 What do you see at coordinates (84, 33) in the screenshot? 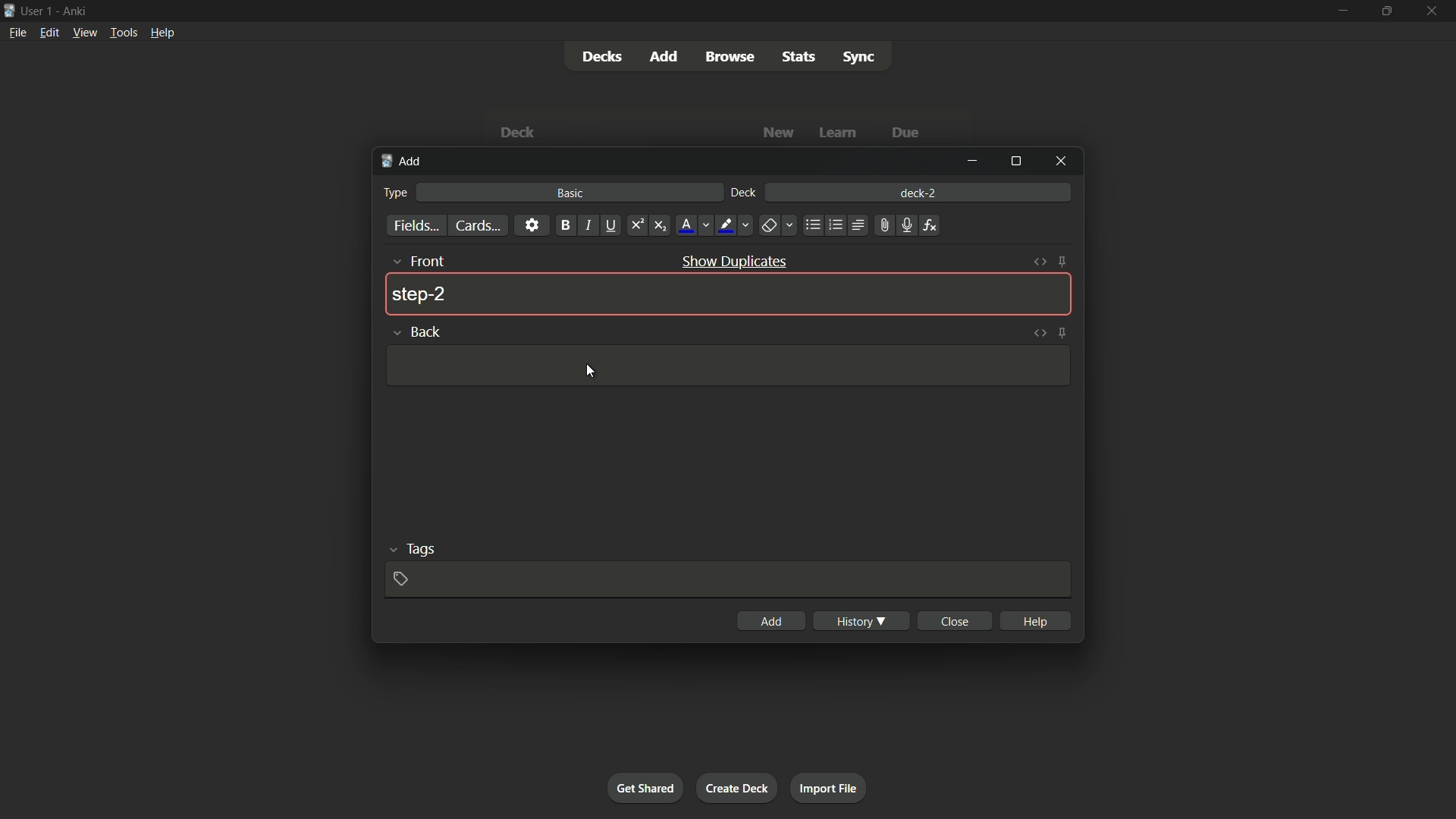
I see `view menu` at bounding box center [84, 33].